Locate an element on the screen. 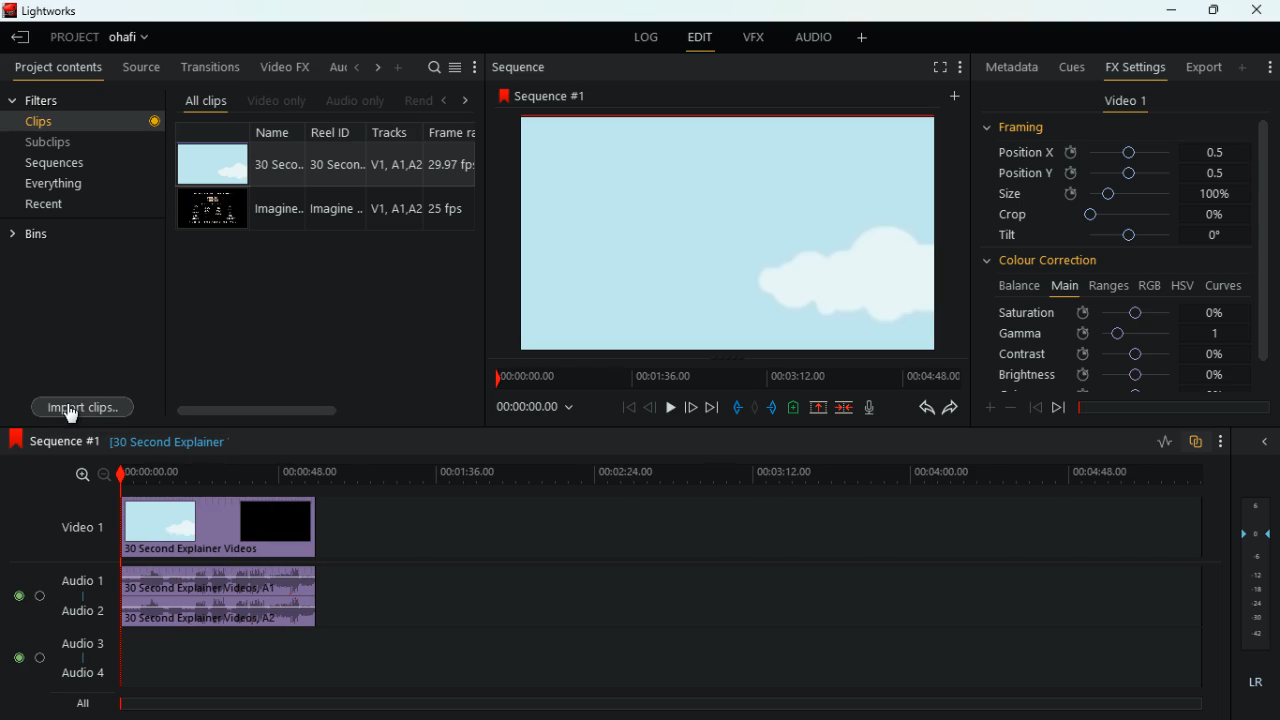 The image size is (1280, 720). scroll is located at coordinates (323, 410).